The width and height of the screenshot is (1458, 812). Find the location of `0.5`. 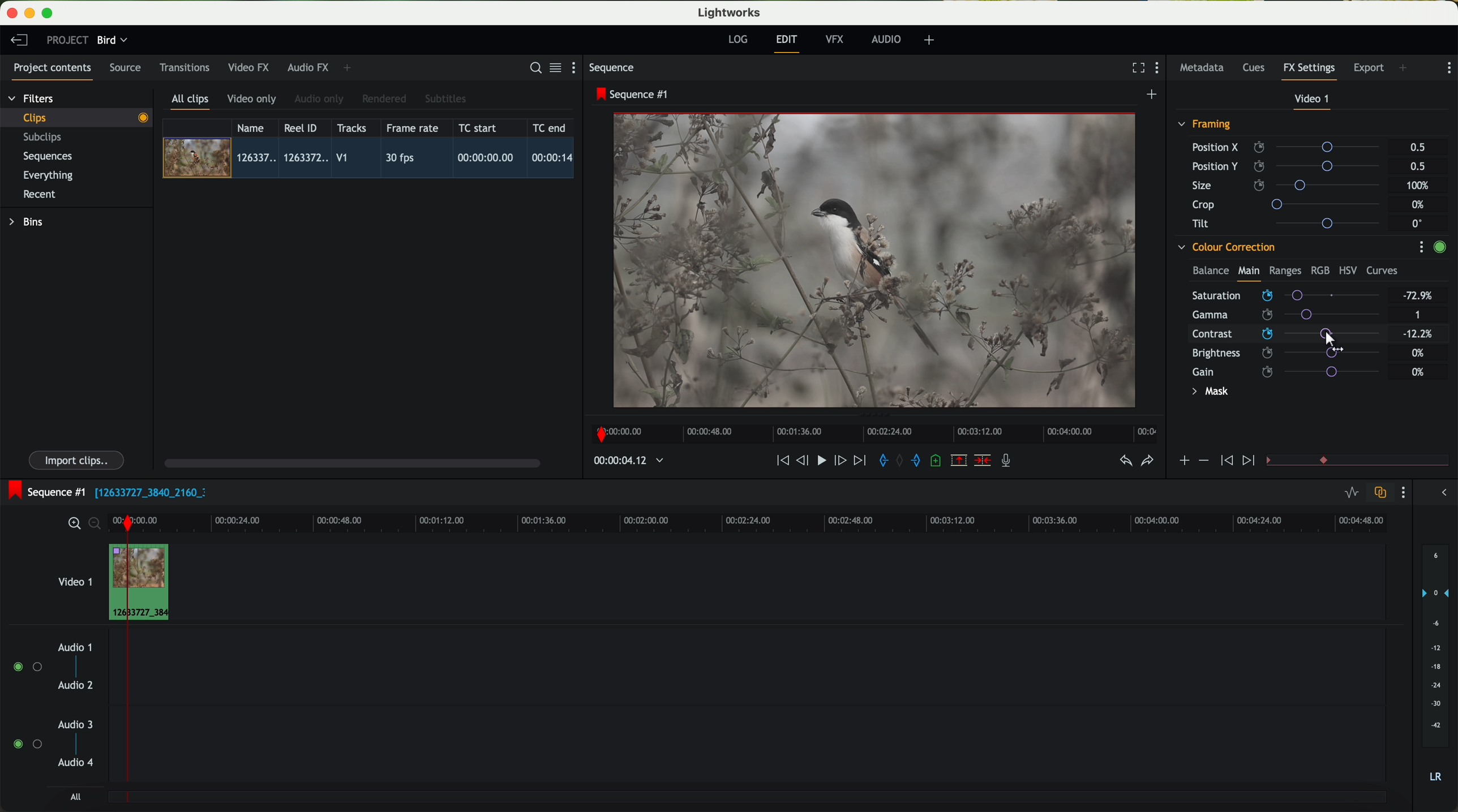

0.5 is located at coordinates (1417, 166).